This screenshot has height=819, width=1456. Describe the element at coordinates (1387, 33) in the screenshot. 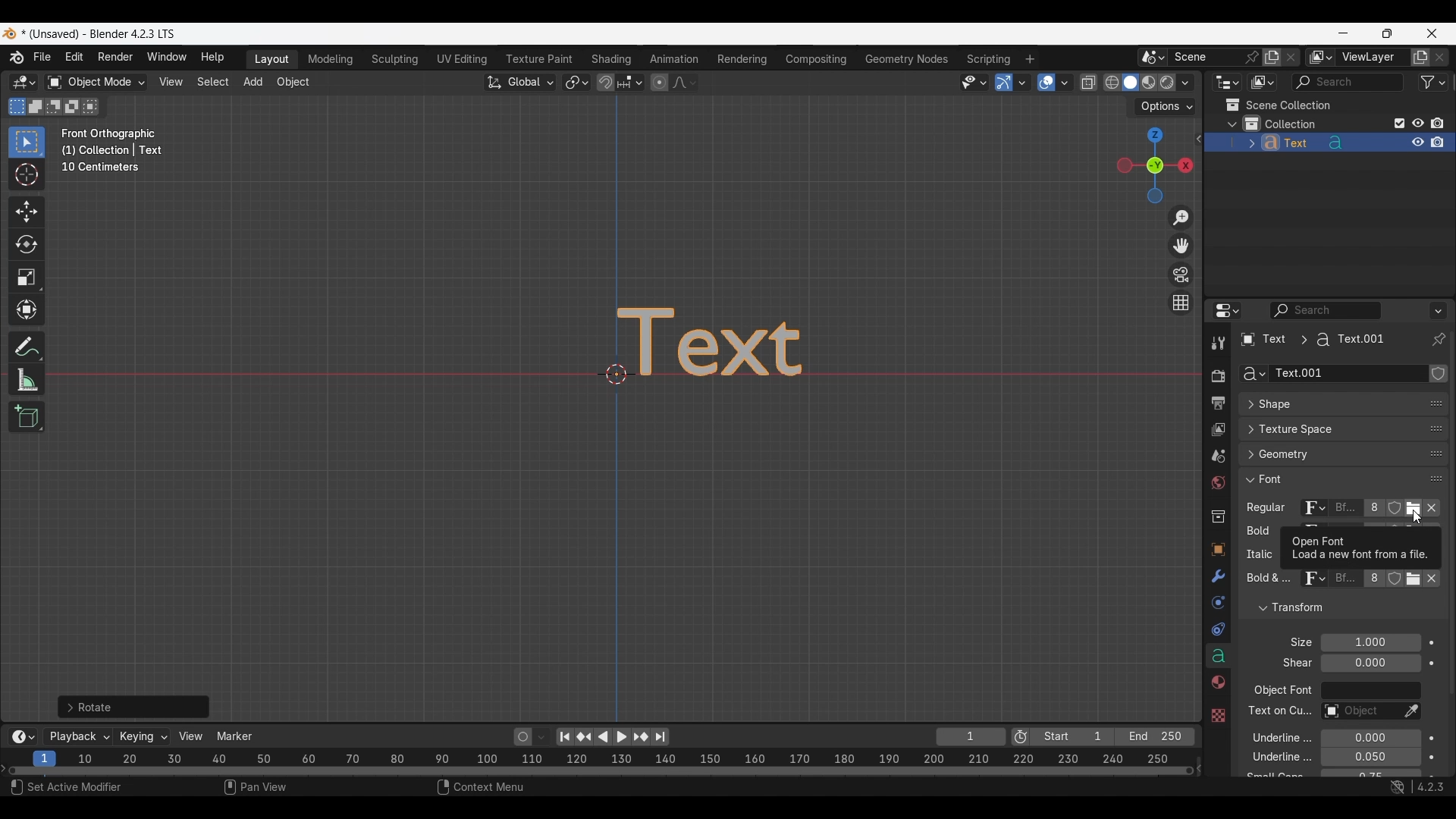

I see `Show interface in a smaller tab` at that location.